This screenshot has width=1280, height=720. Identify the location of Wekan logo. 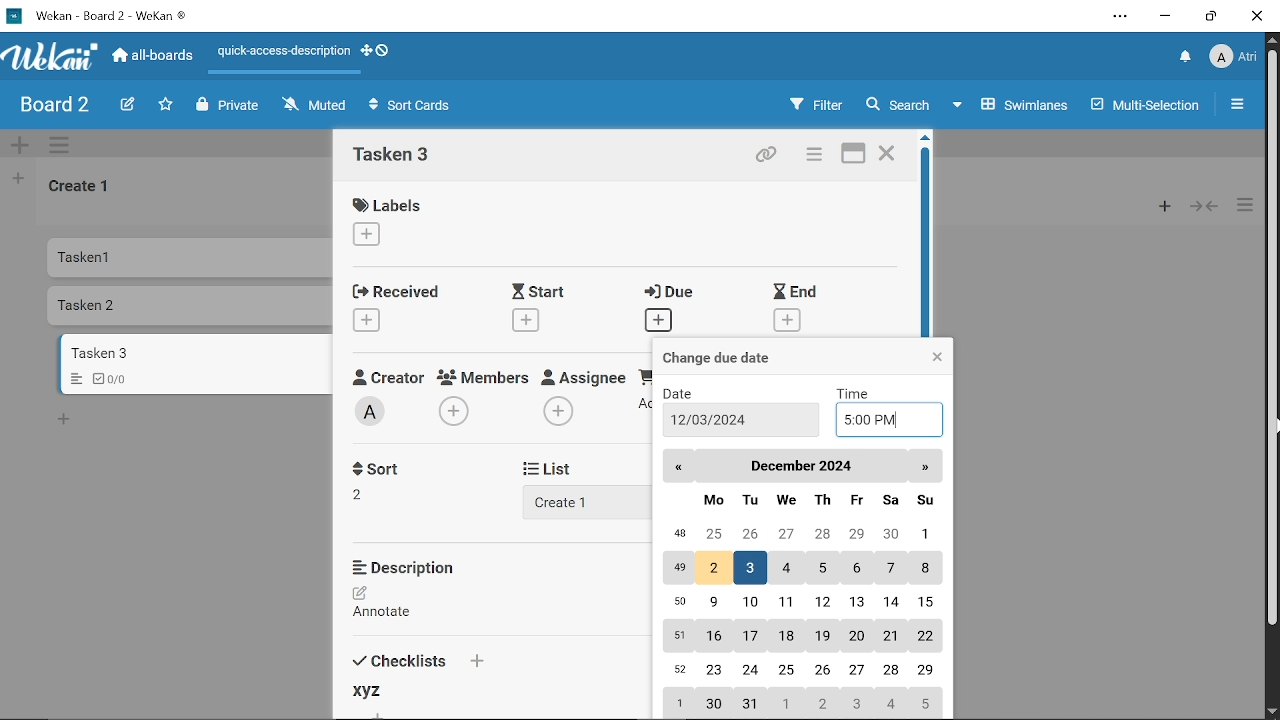
(50, 57).